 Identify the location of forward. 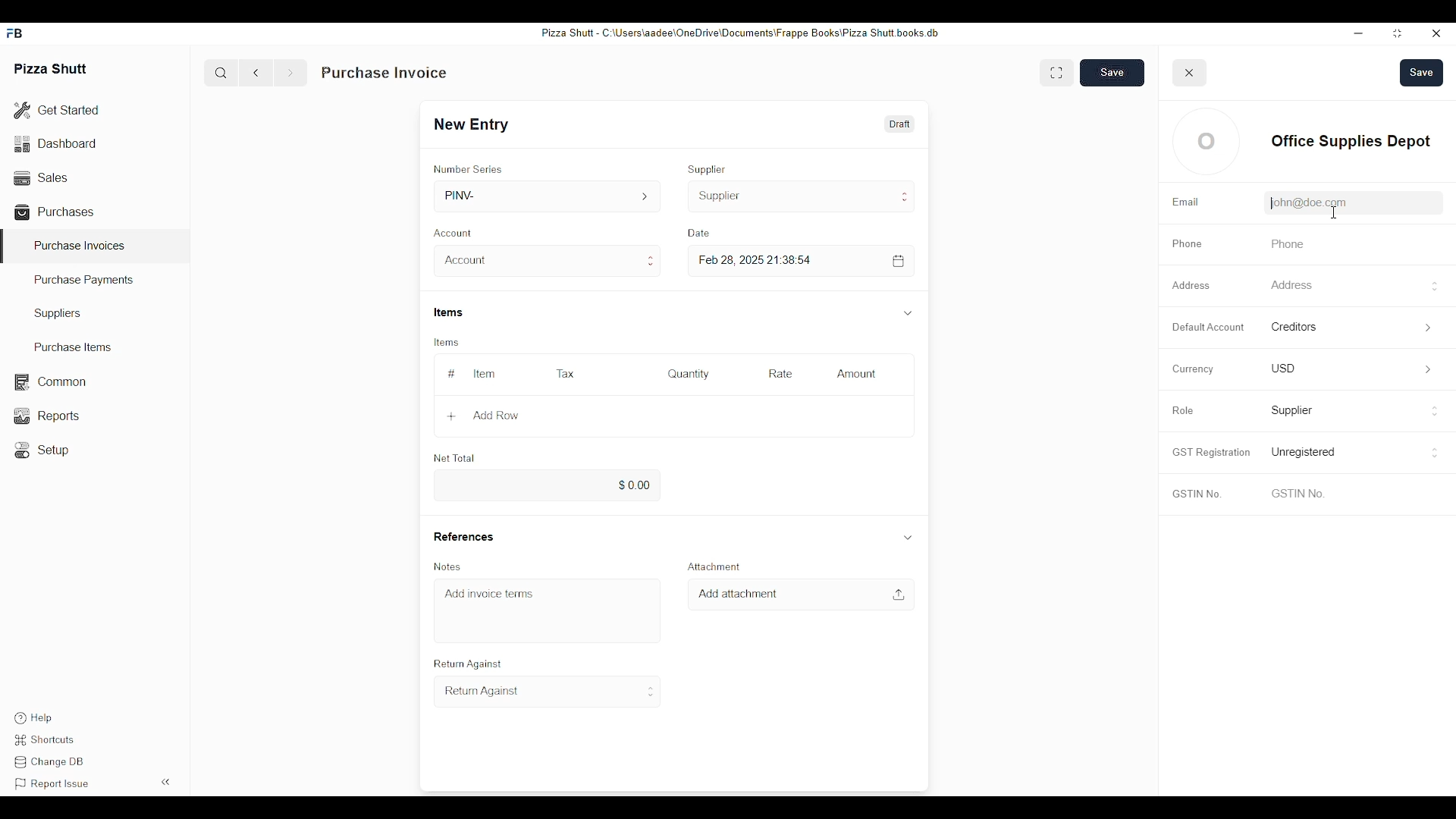
(290, 73).